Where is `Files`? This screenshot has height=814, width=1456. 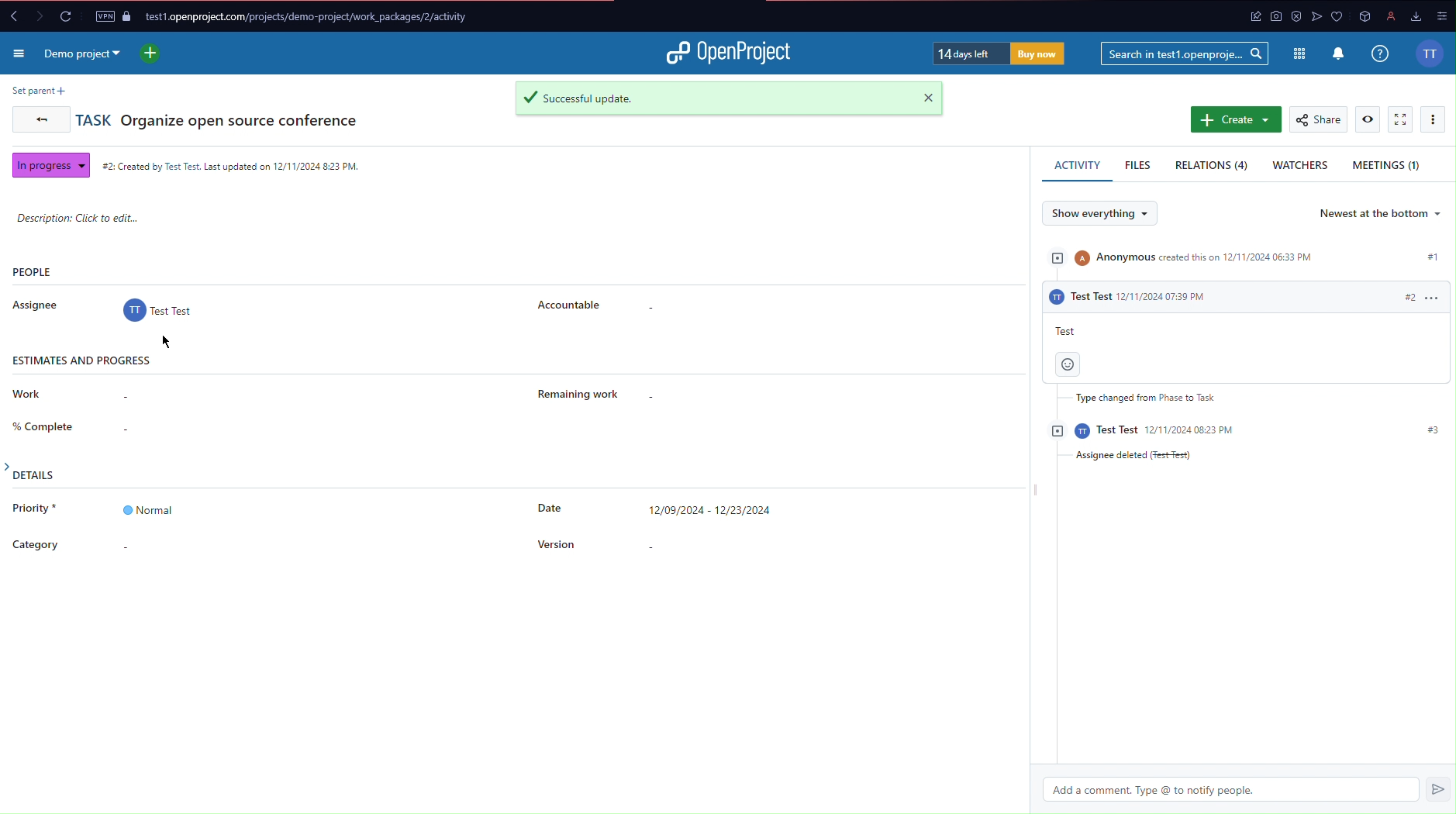 Files is located at coordinates (1138, 166).